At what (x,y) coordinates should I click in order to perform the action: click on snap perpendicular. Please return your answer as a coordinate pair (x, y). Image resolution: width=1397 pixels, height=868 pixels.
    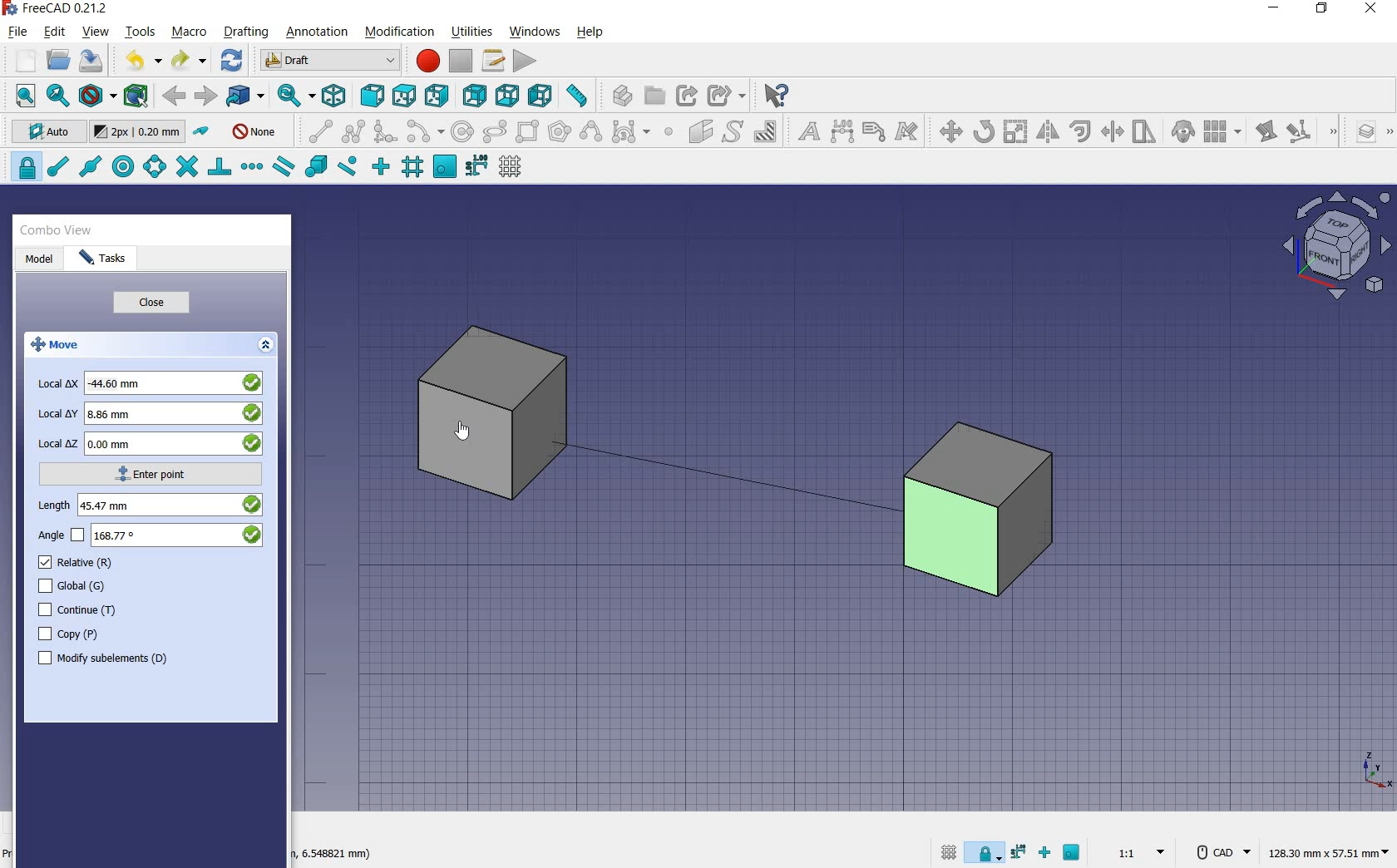
    Looking at the image, I should click on (220, 167).